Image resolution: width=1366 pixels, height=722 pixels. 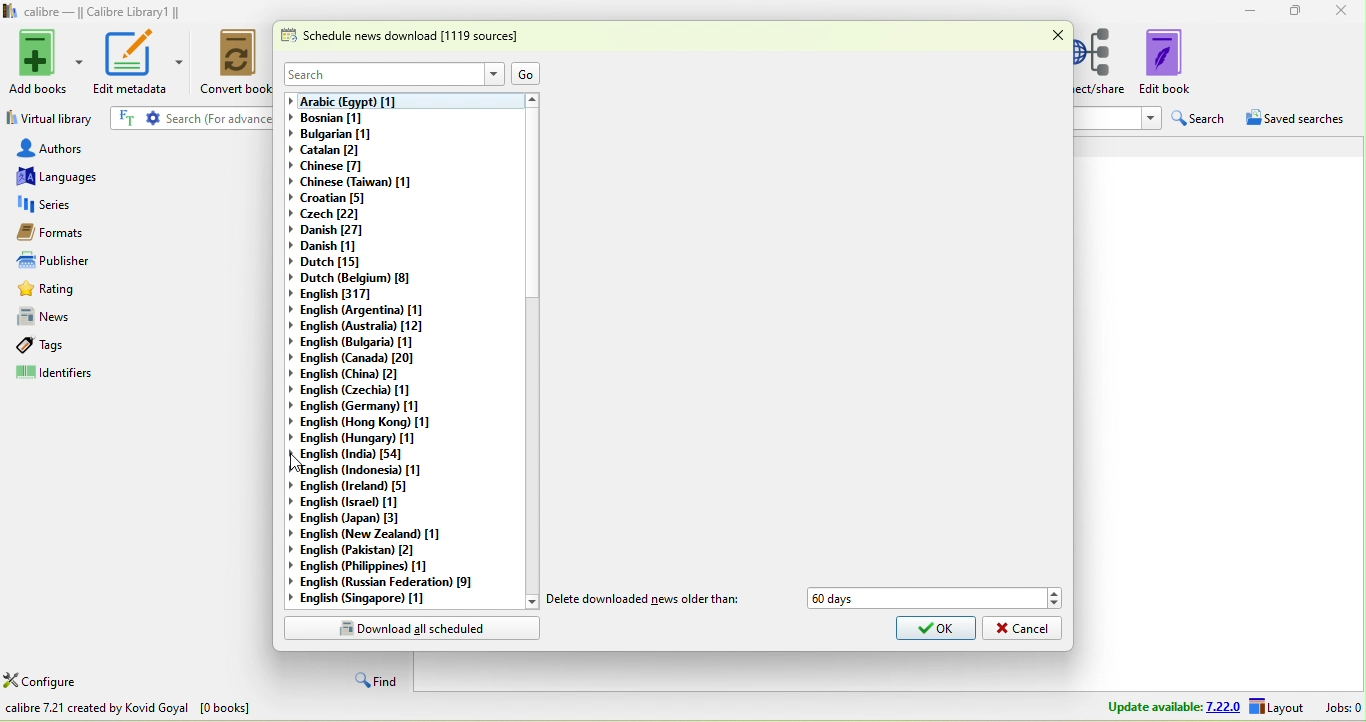 I want to click on dutch[15], so click(x=336, y=263).